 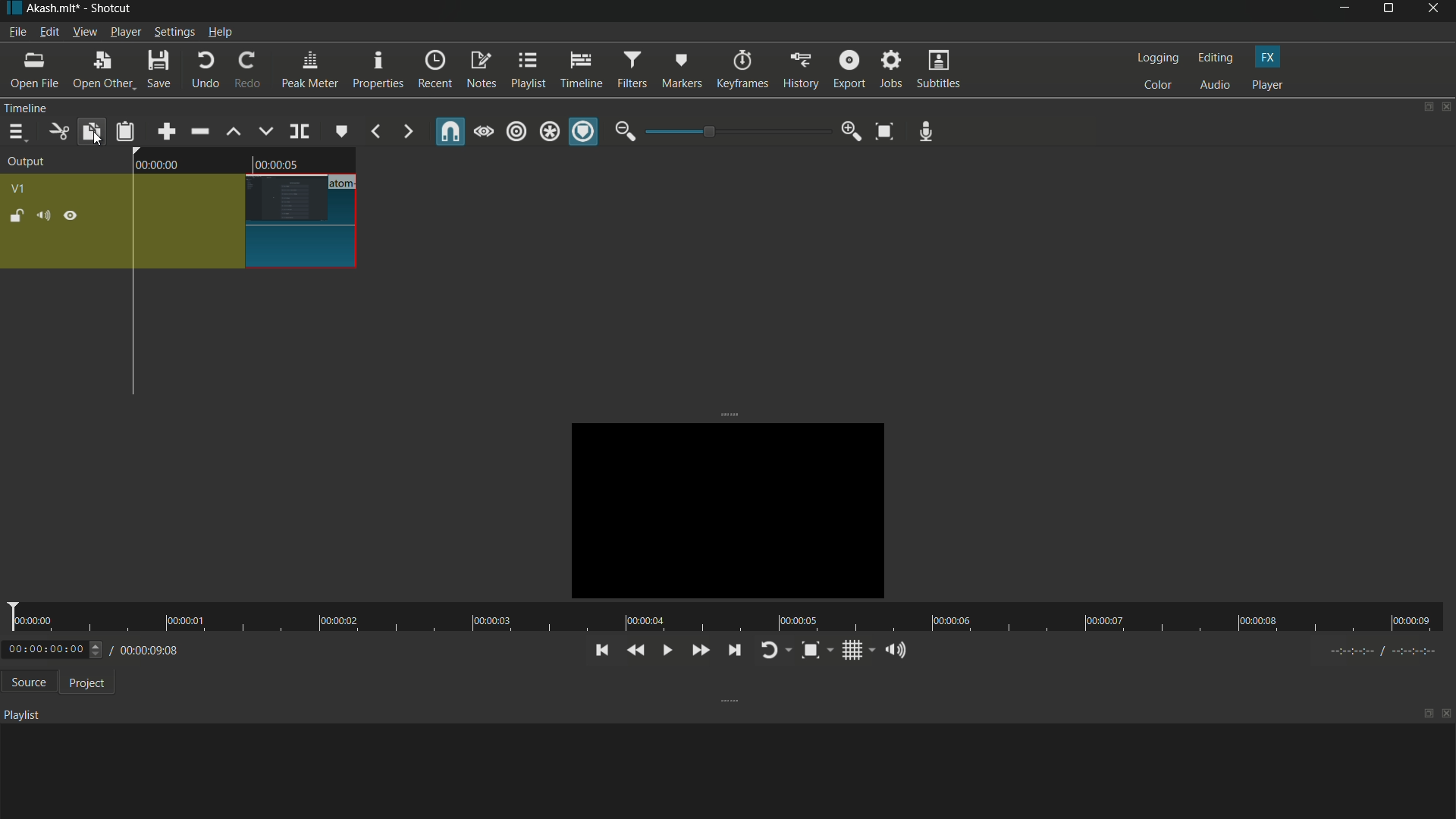 What do you see at coordinates (1390, 11) in the screenshot?
I see `maximize` at bounding box center [1390, 11].